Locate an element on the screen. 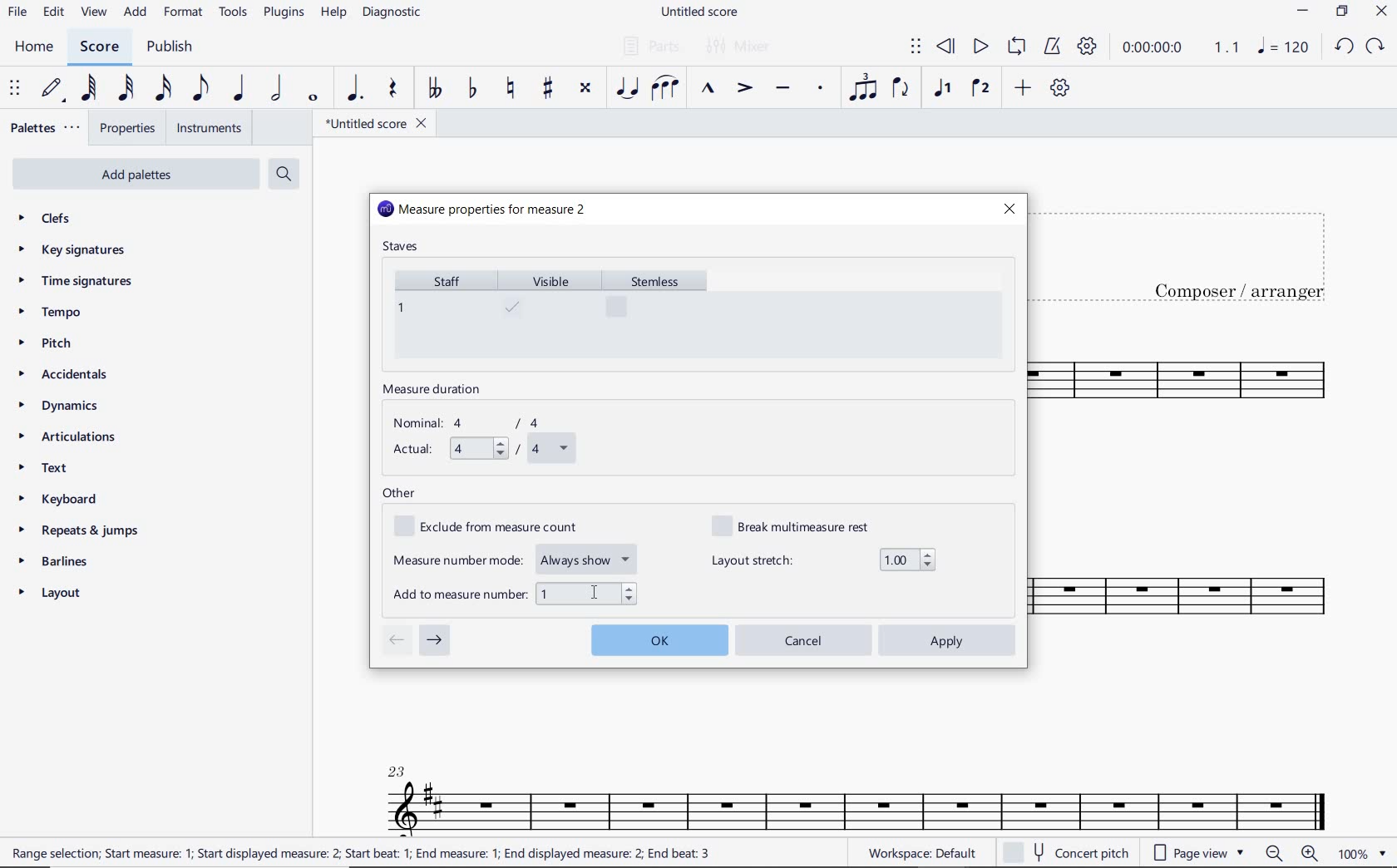 Image resolution: width=1397 pixels, height=868 pixels. title is located at coordinates (1196, 253).